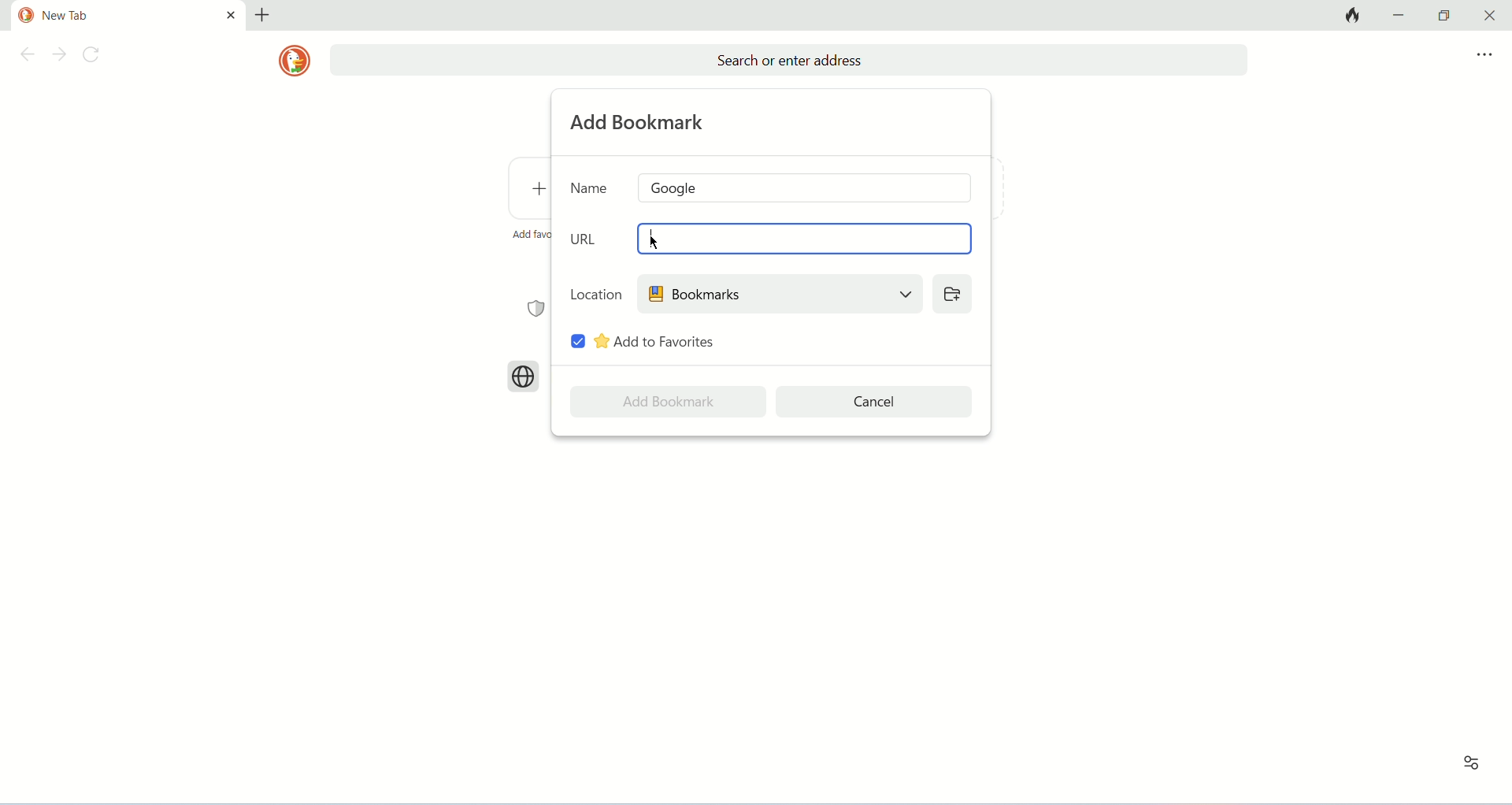 This screenshot has width=1512, height=805. I want to click on location, so click(596, 293).